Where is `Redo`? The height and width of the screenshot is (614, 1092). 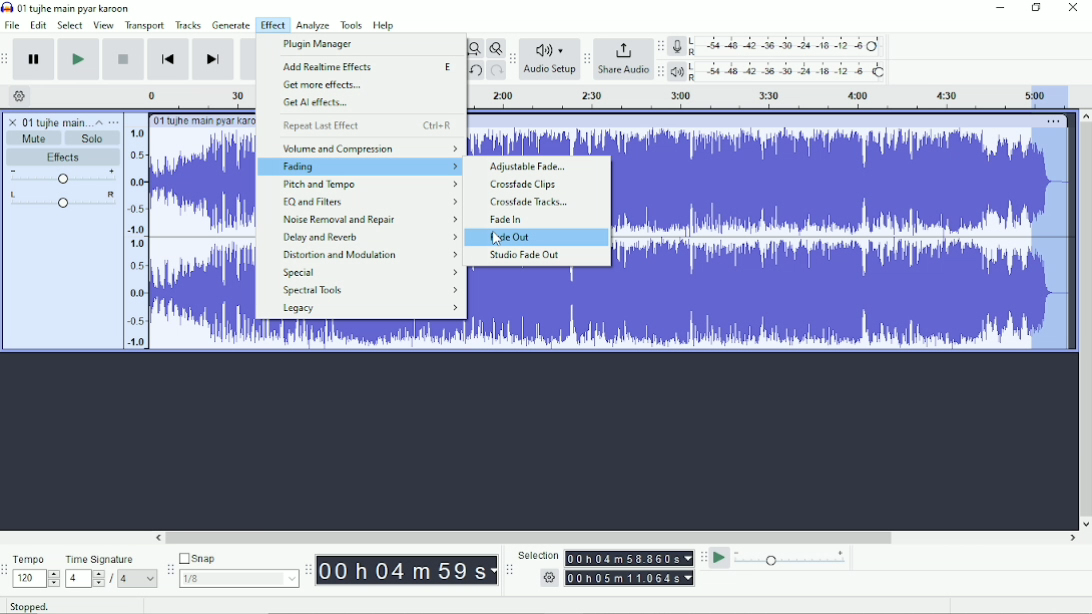 Redo is located at coordinates (496, 69).